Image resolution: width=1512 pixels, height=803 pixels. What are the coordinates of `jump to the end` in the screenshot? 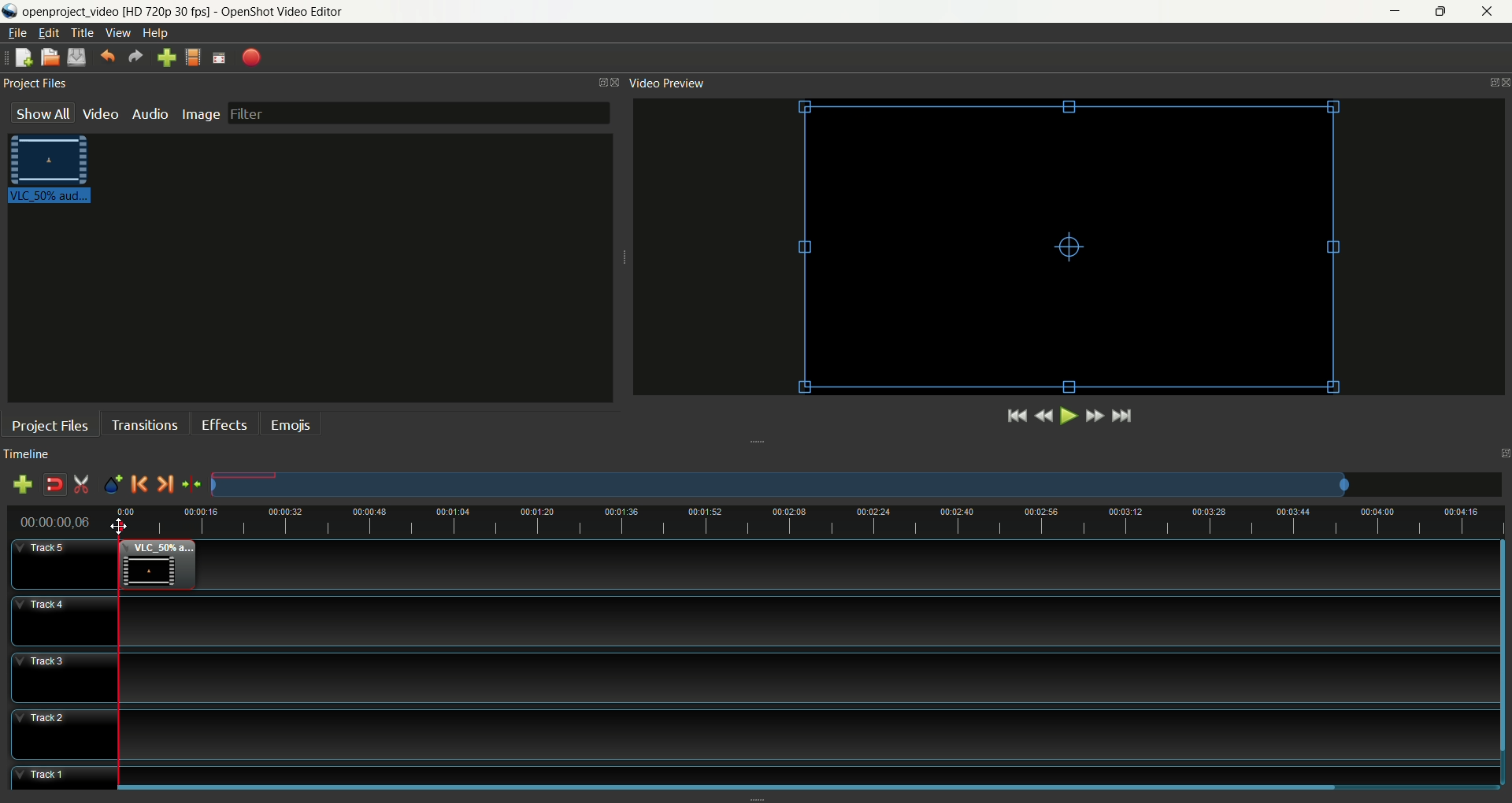 It's located at (1122, 416).